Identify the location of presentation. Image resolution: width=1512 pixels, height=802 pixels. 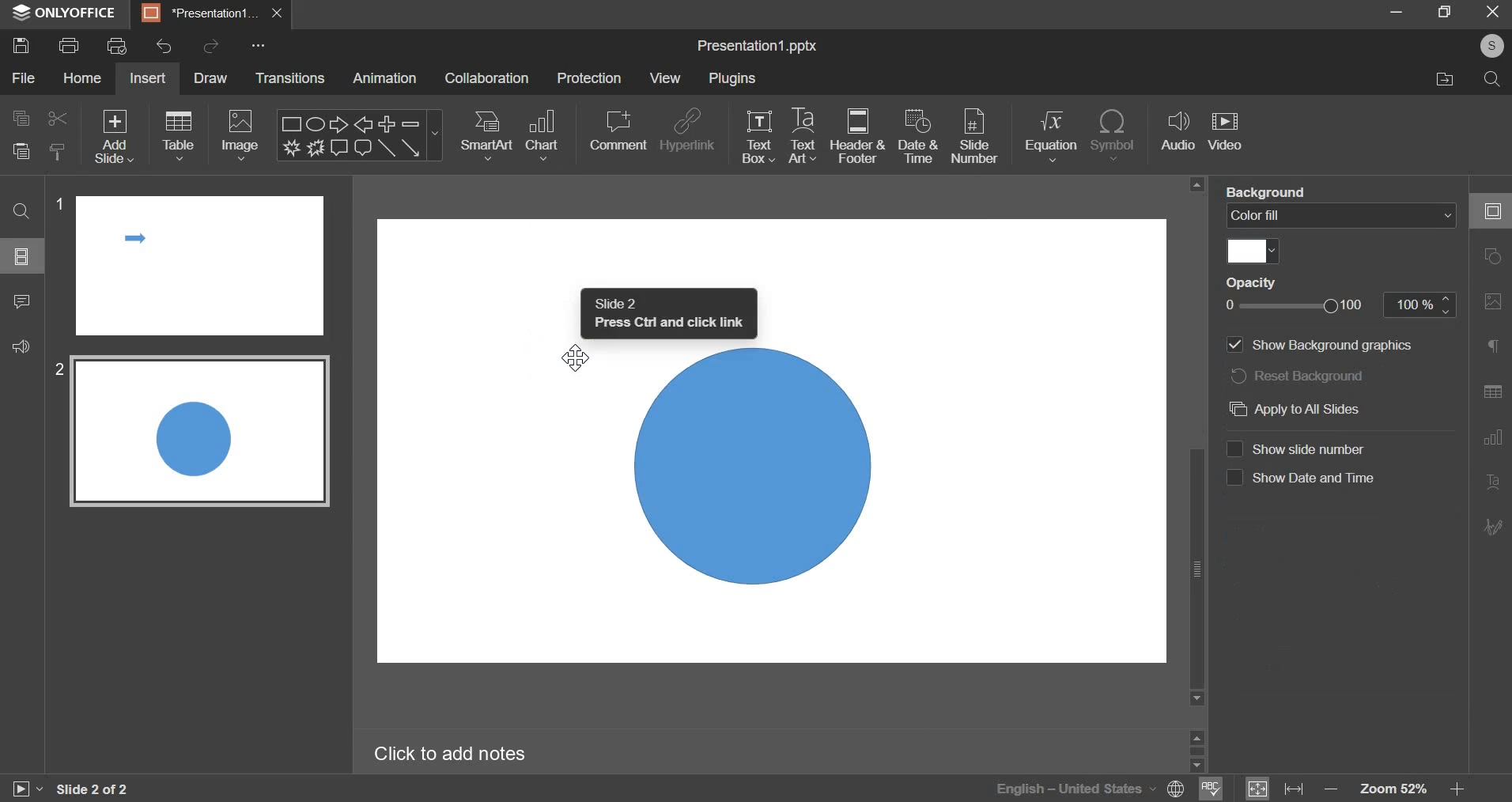
(211, 13).